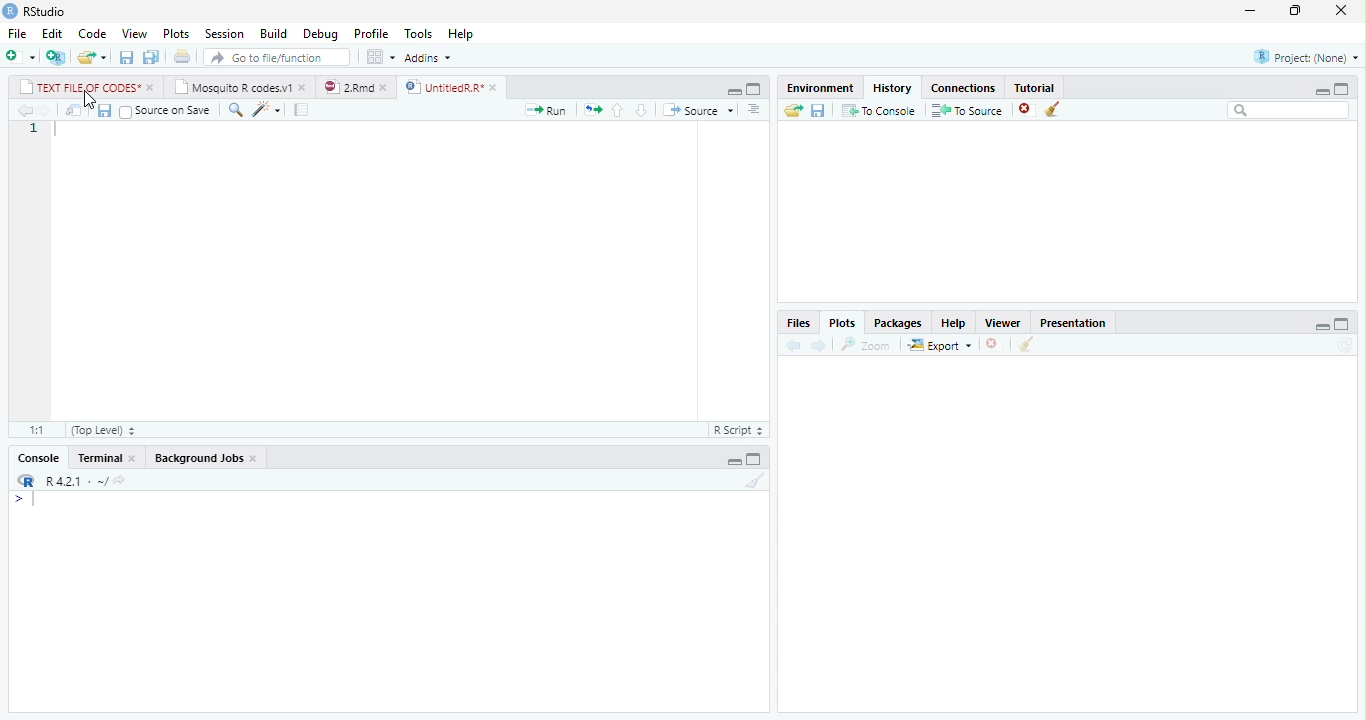 Image resolution: width=1366 pixels, height=720 pixels. I want to click on Tutorial, so click(1036, 87).